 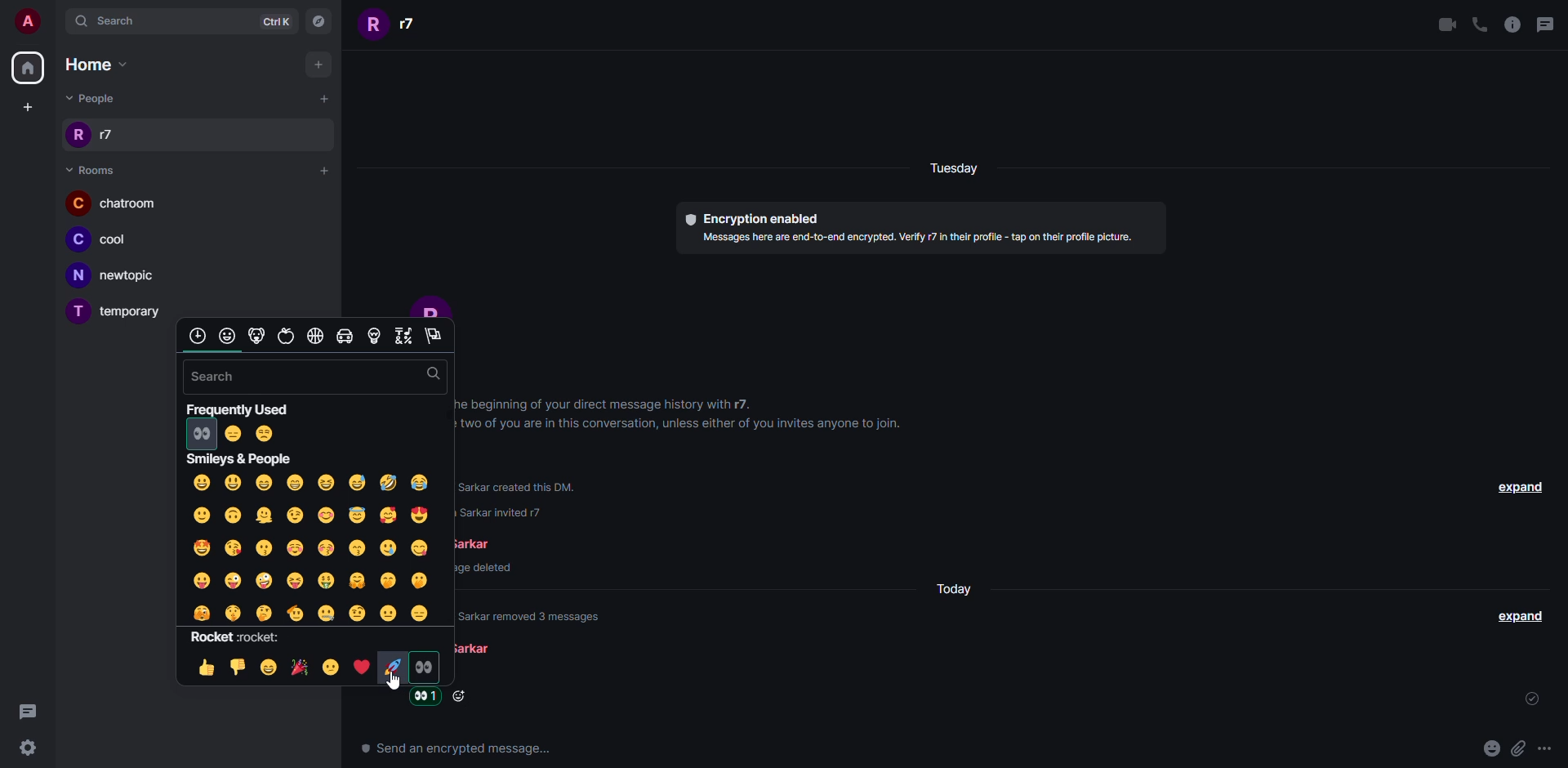 I want to click on people, so click(x=94, y=98).